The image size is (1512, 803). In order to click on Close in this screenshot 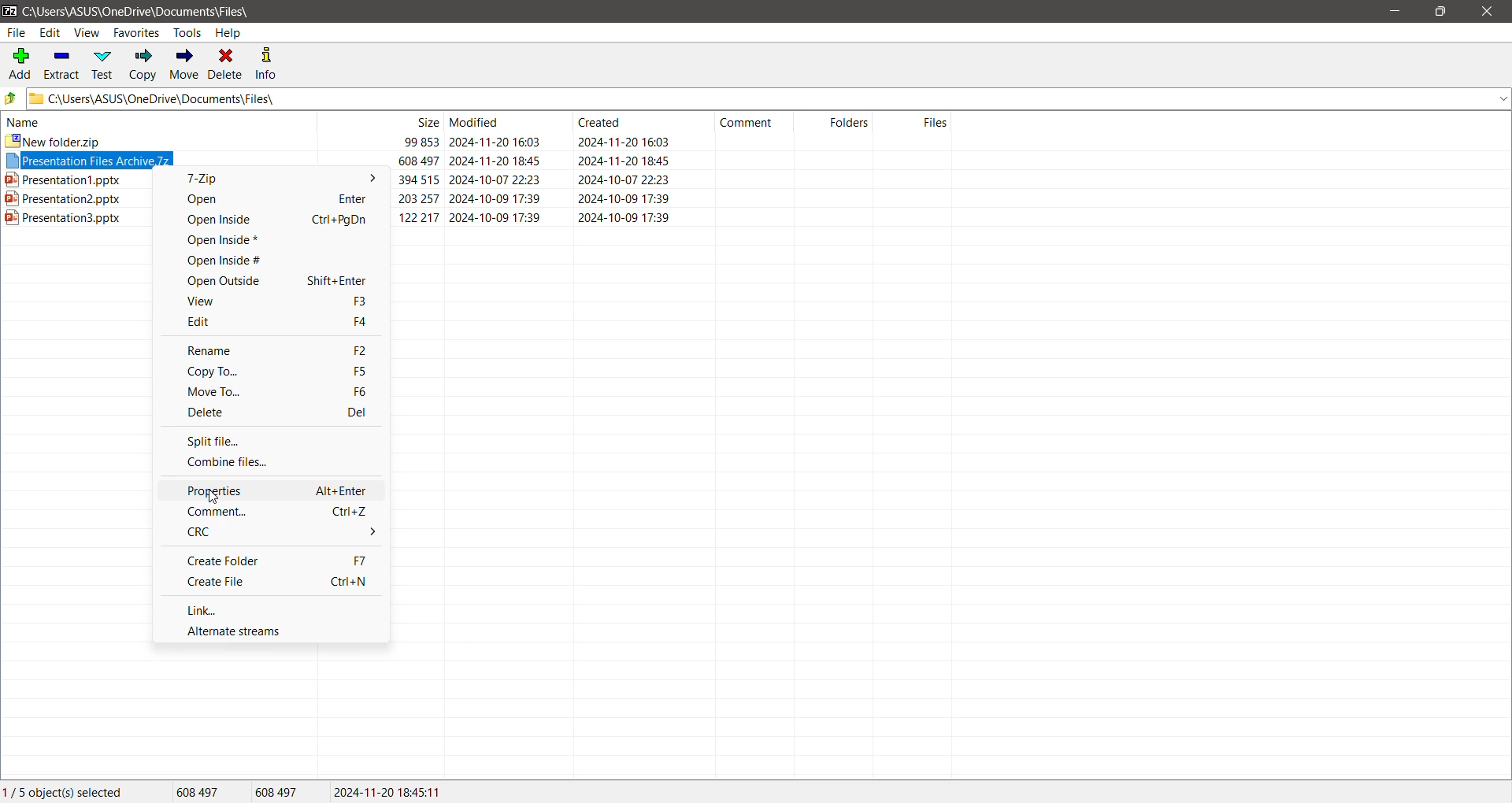, I will do `click(1487, 13)`.